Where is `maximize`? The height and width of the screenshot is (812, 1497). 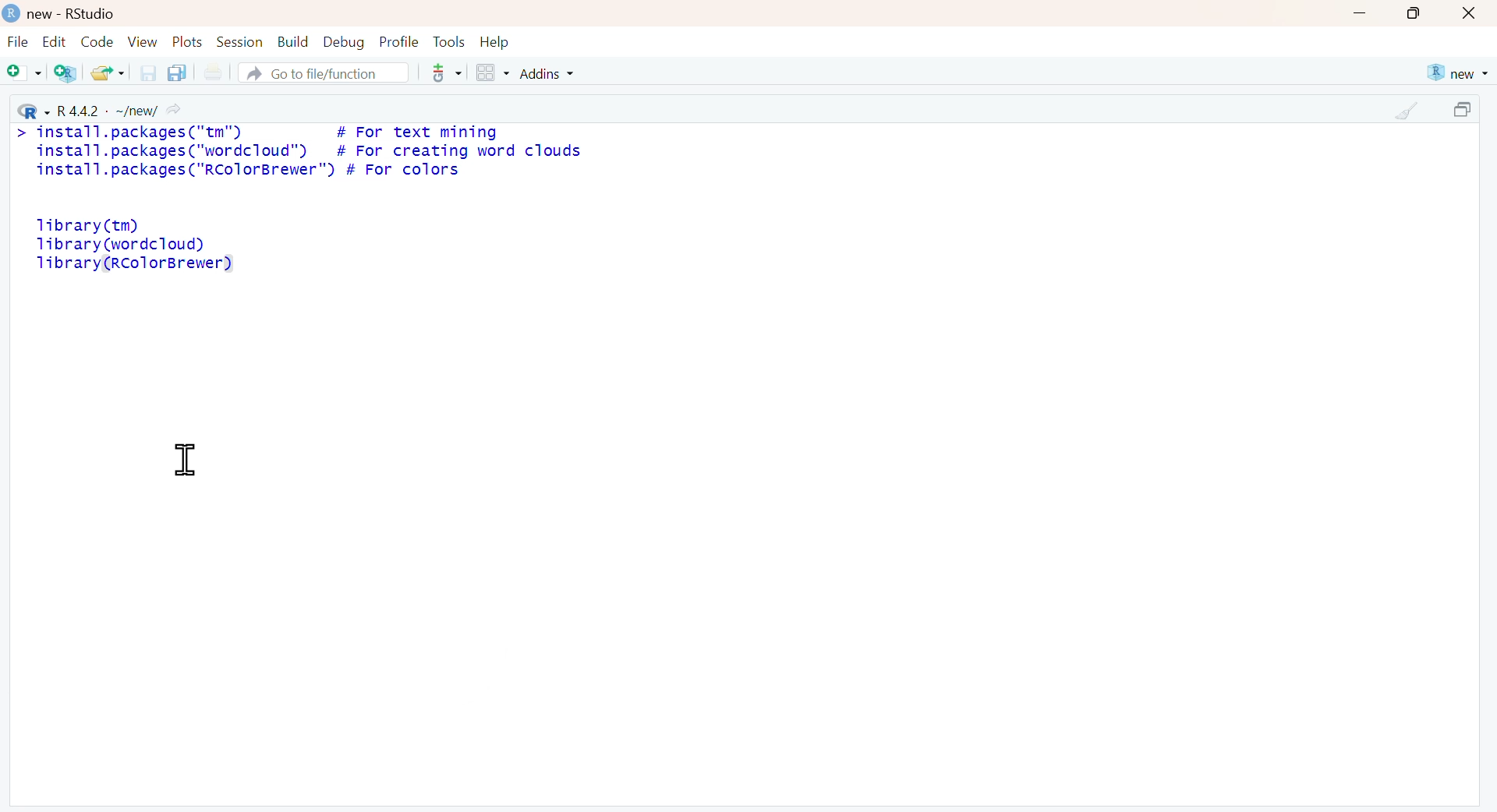
maximize is located at coordinates (1417, 13).